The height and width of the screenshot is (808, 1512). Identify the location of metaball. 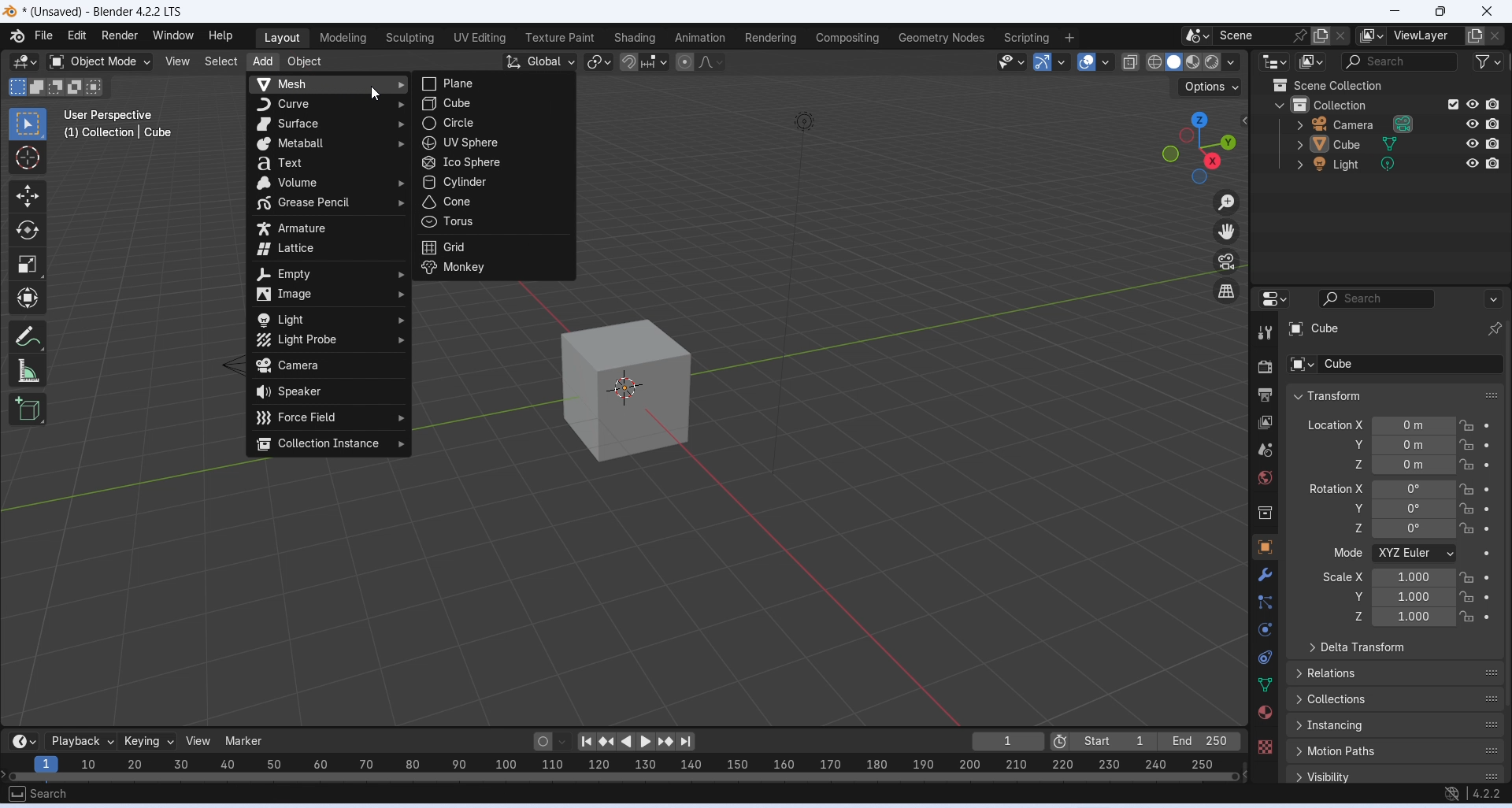
(330, 144).